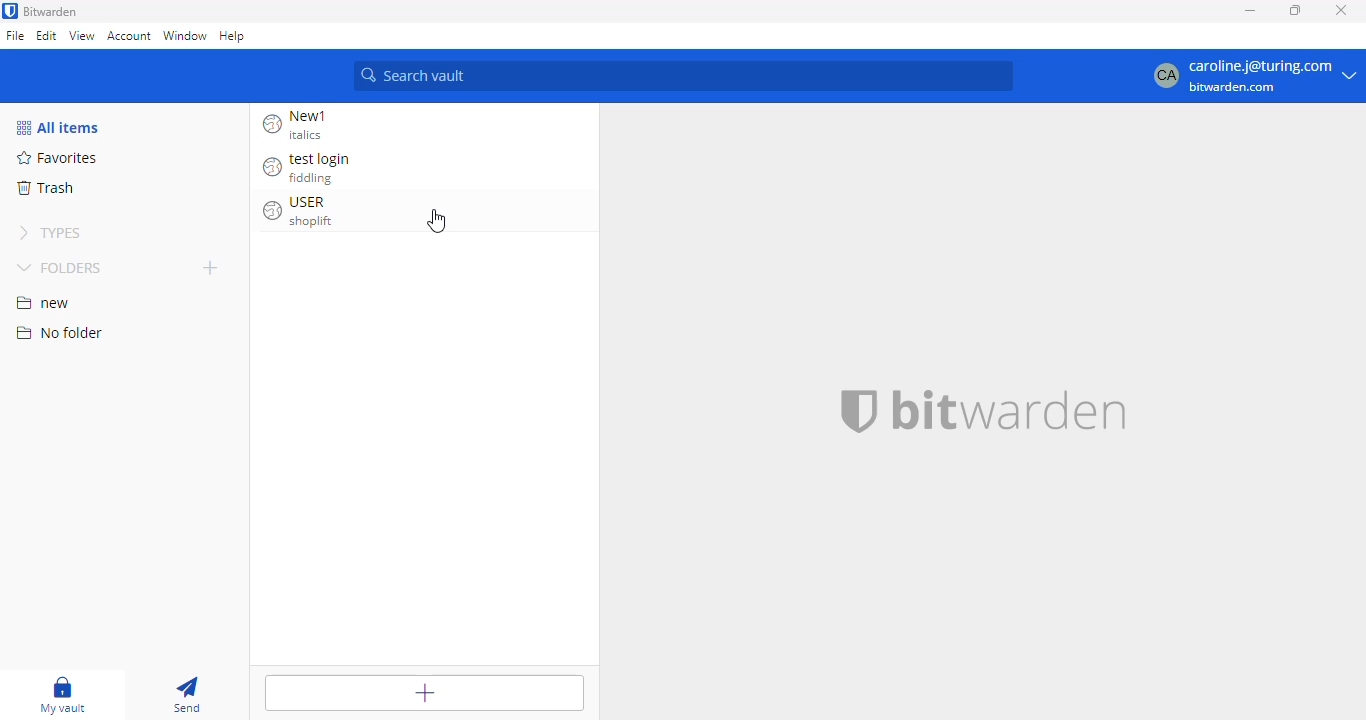 This screenshot has width=1366, height=720. Describe the element at coordinates (236, 35) in the screenshot. I see `help` at that location.